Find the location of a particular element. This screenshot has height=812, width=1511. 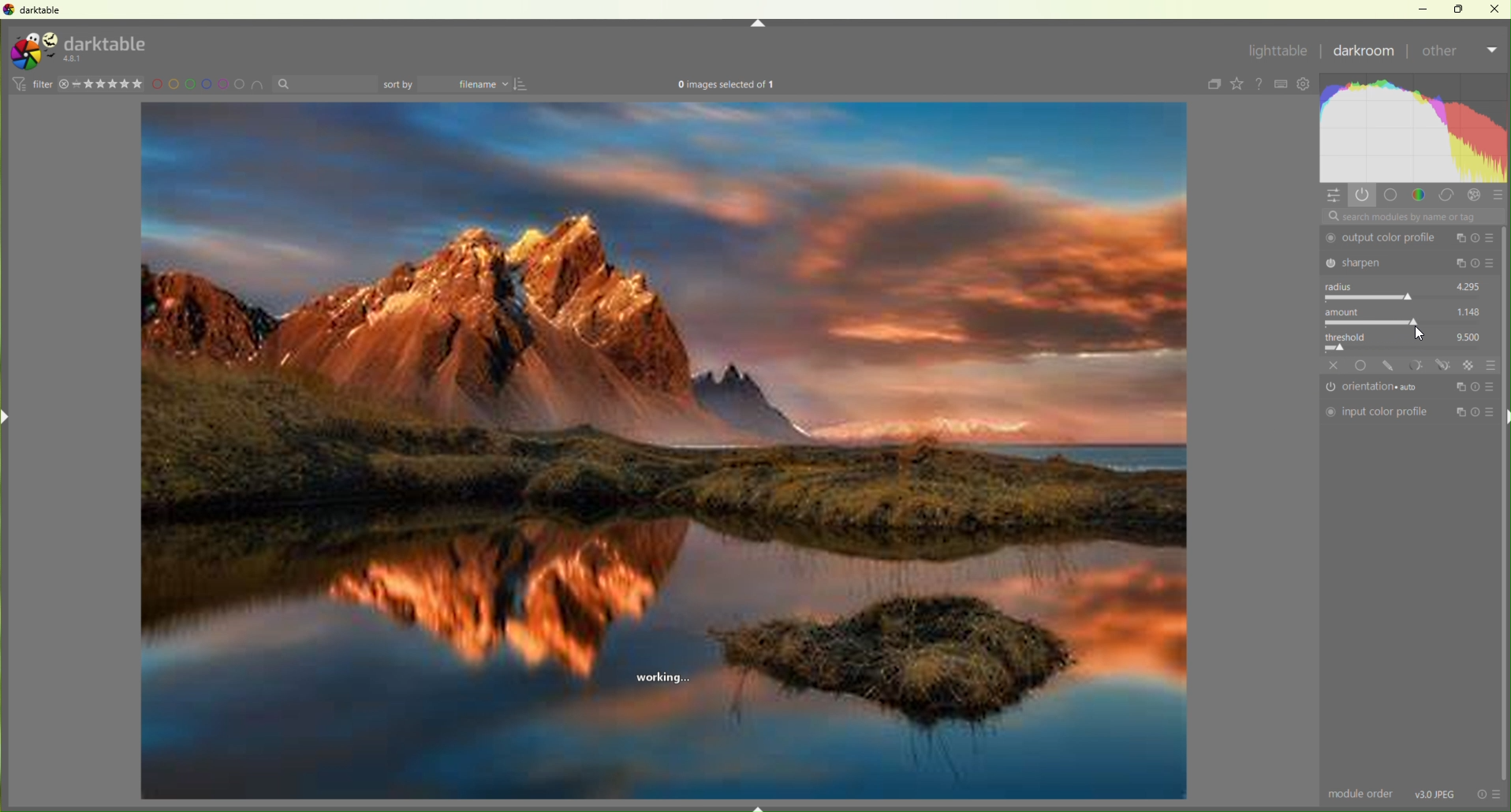

range rating is located at coordinates (111, 84).